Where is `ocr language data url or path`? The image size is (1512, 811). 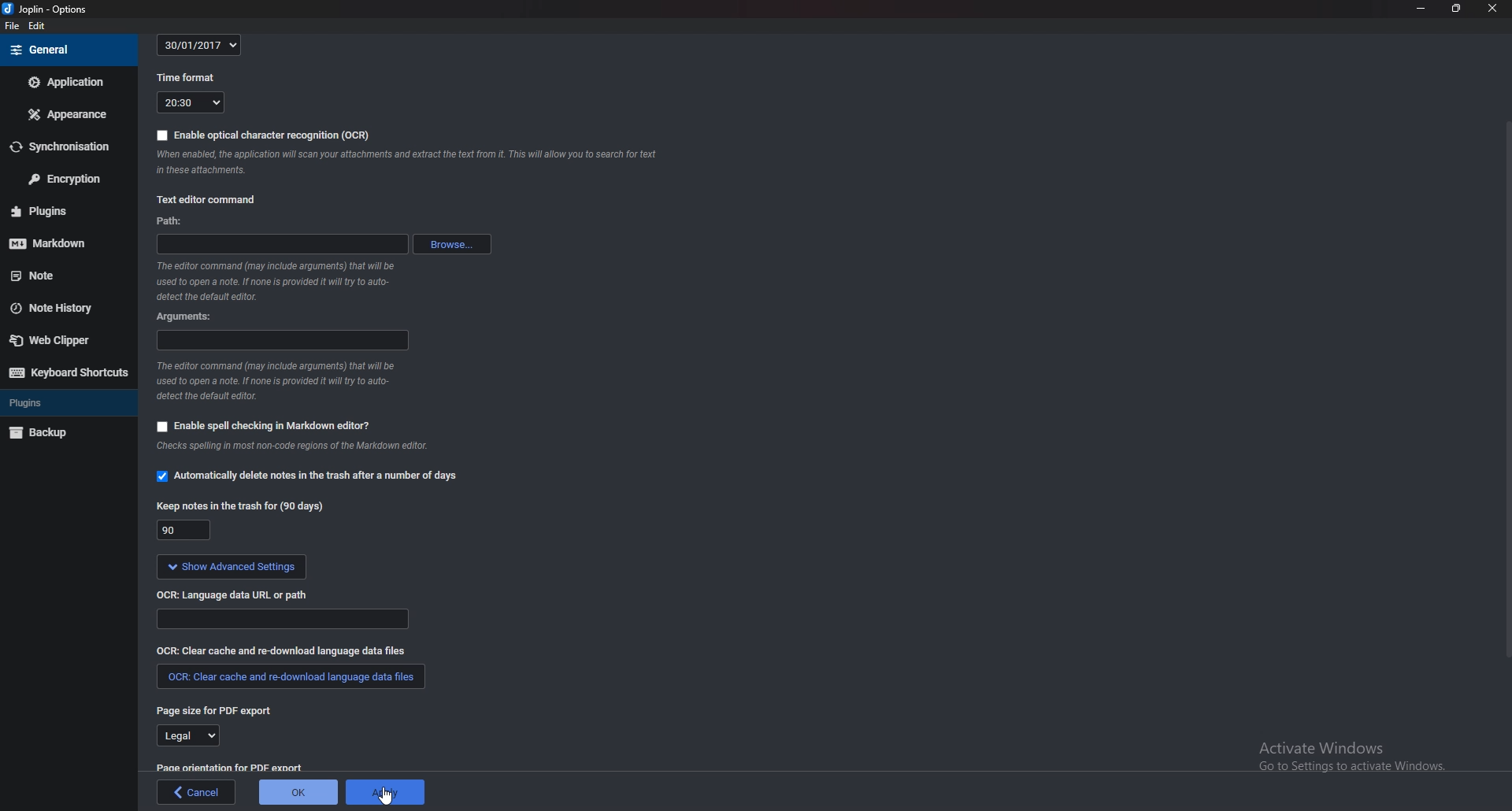 ocr language data url or path is located at coordinates (232, 594).